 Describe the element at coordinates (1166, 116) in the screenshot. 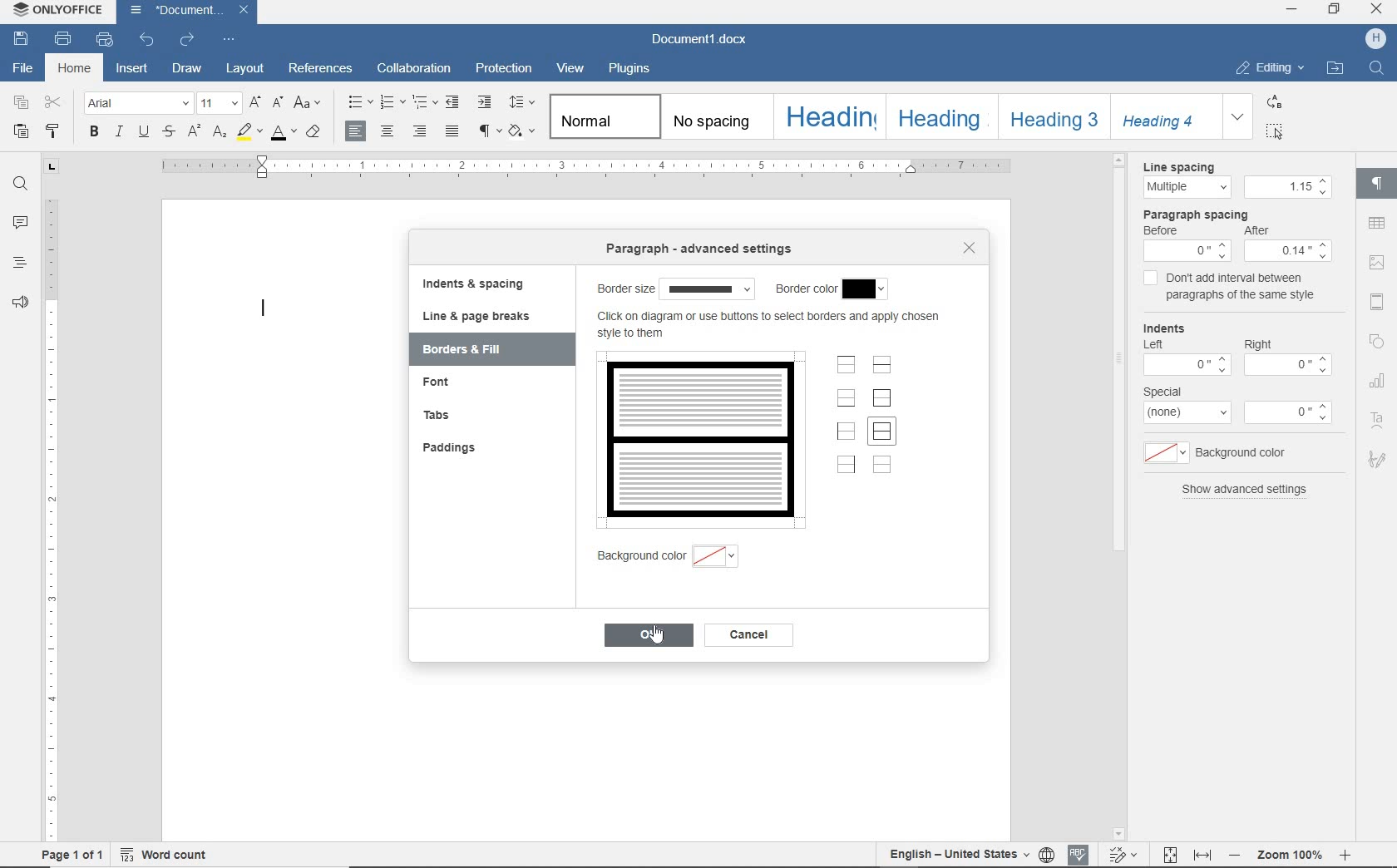

I see `Heading 4` at that location.